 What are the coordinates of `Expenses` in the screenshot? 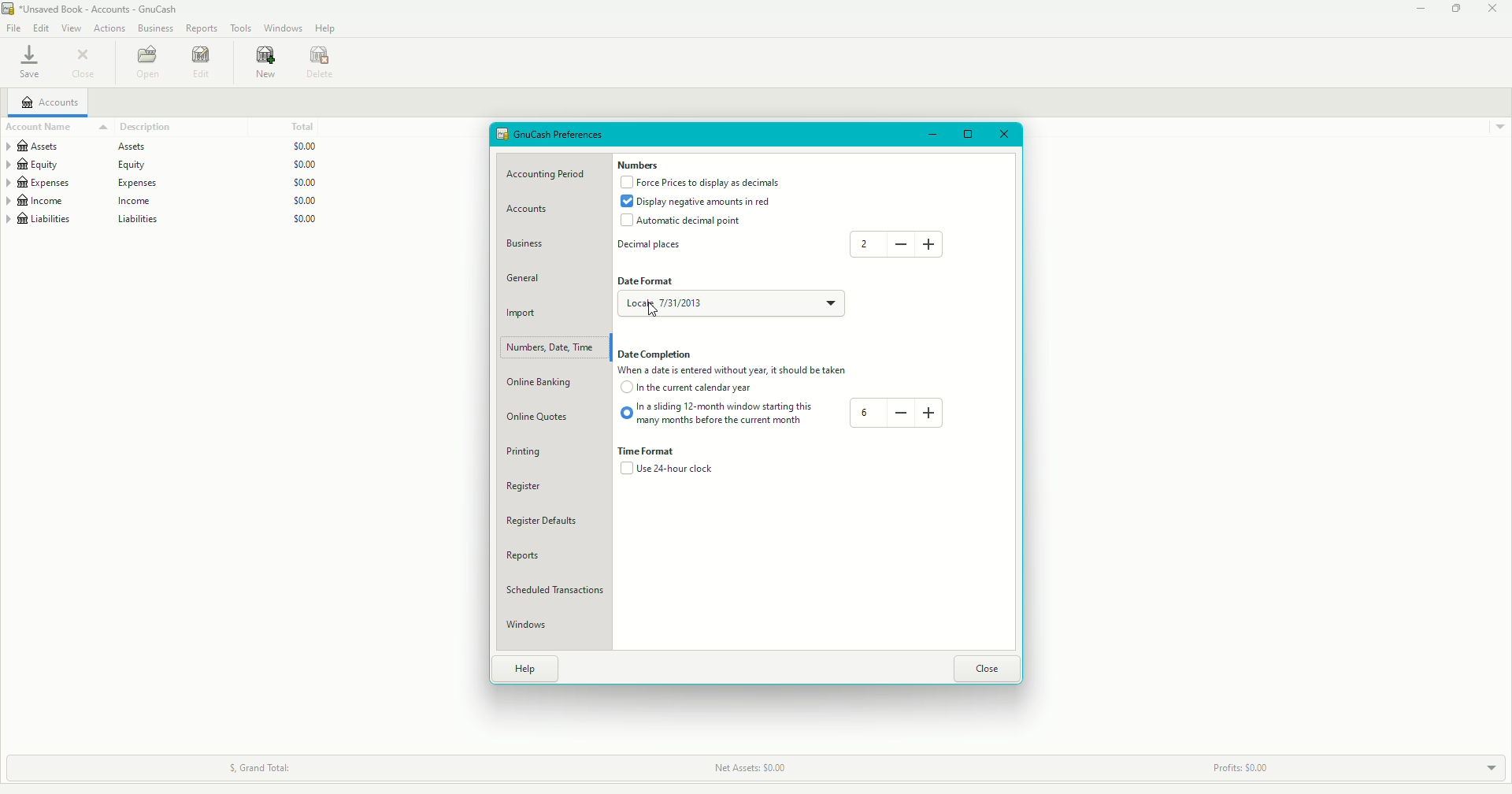 It's located at (164, 183).